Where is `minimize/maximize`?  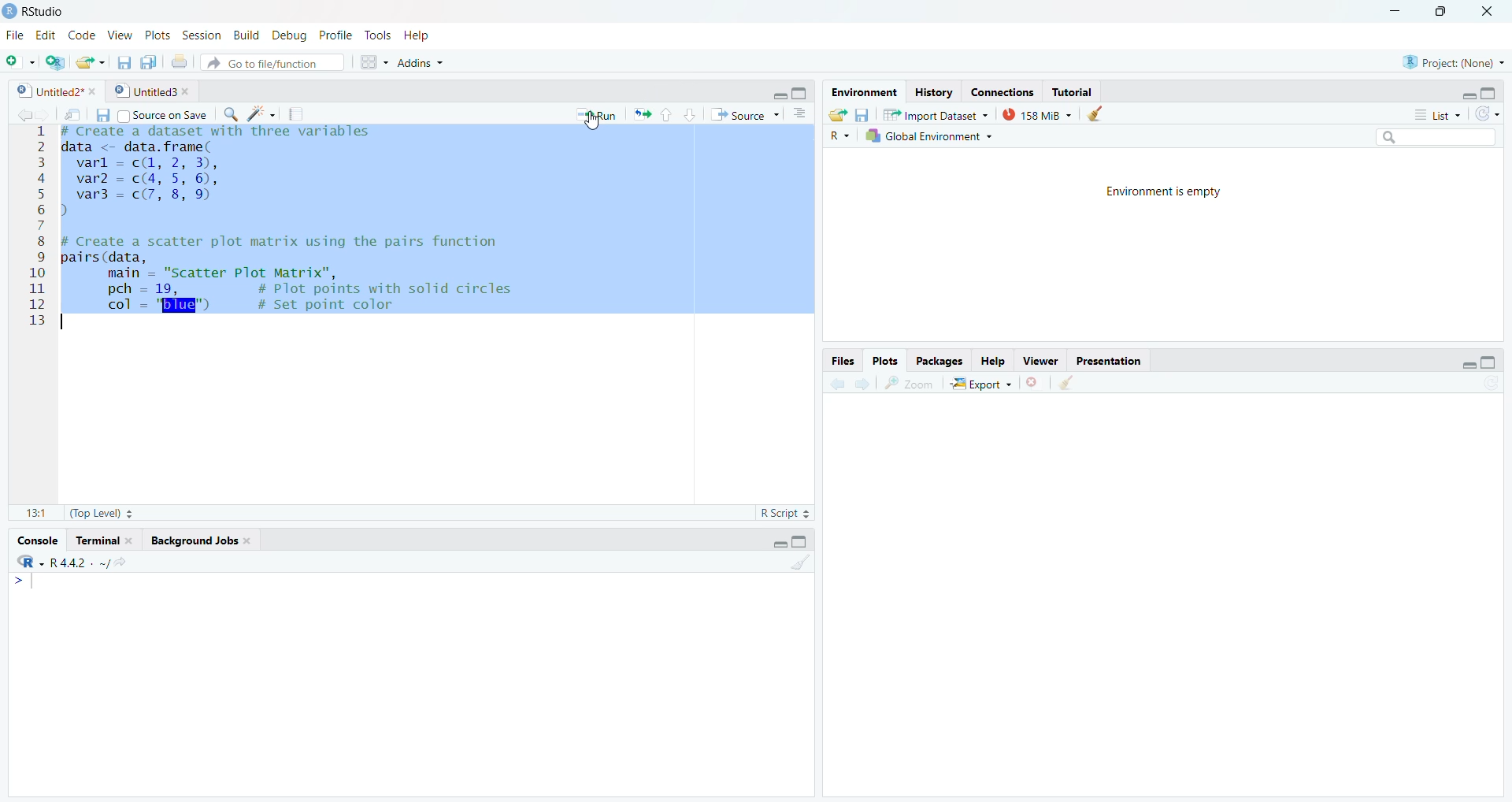 minimize/maximize is located at coordinates (1482, 92).